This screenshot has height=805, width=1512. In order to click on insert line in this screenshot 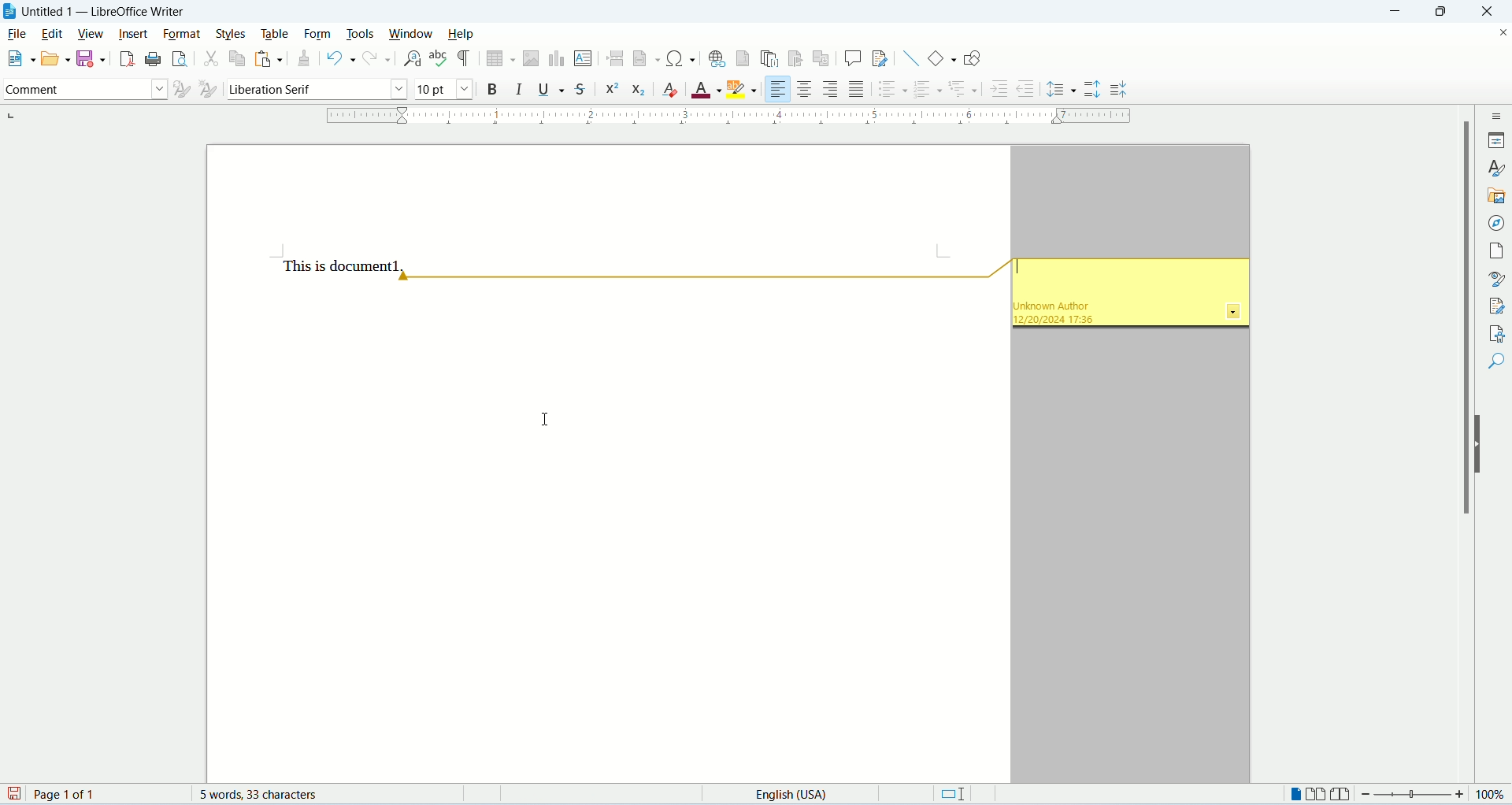, I will do `click(911, 58)`.